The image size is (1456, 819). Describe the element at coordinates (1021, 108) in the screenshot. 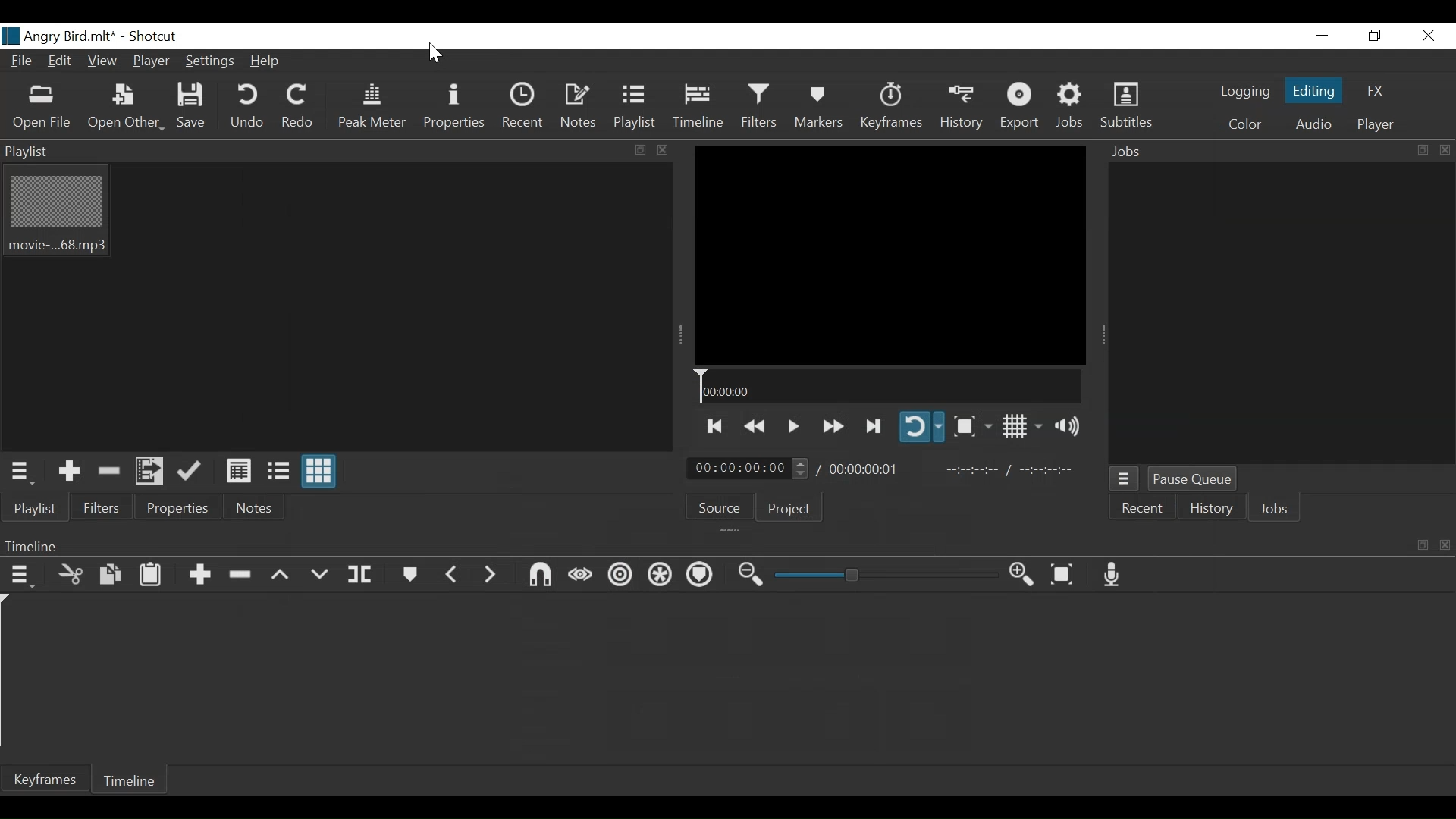

I see `Export` at that location.